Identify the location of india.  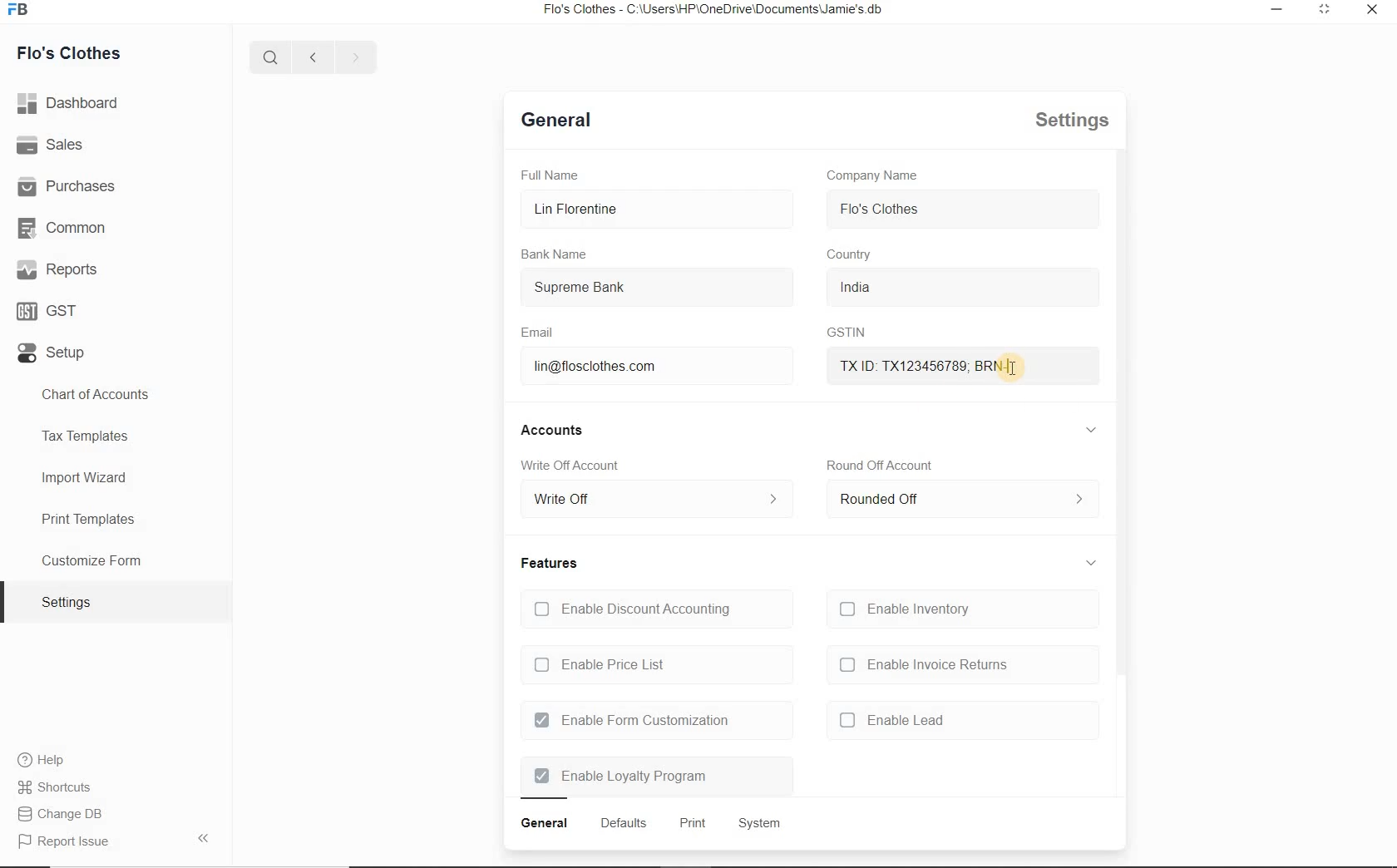
(877, 287).